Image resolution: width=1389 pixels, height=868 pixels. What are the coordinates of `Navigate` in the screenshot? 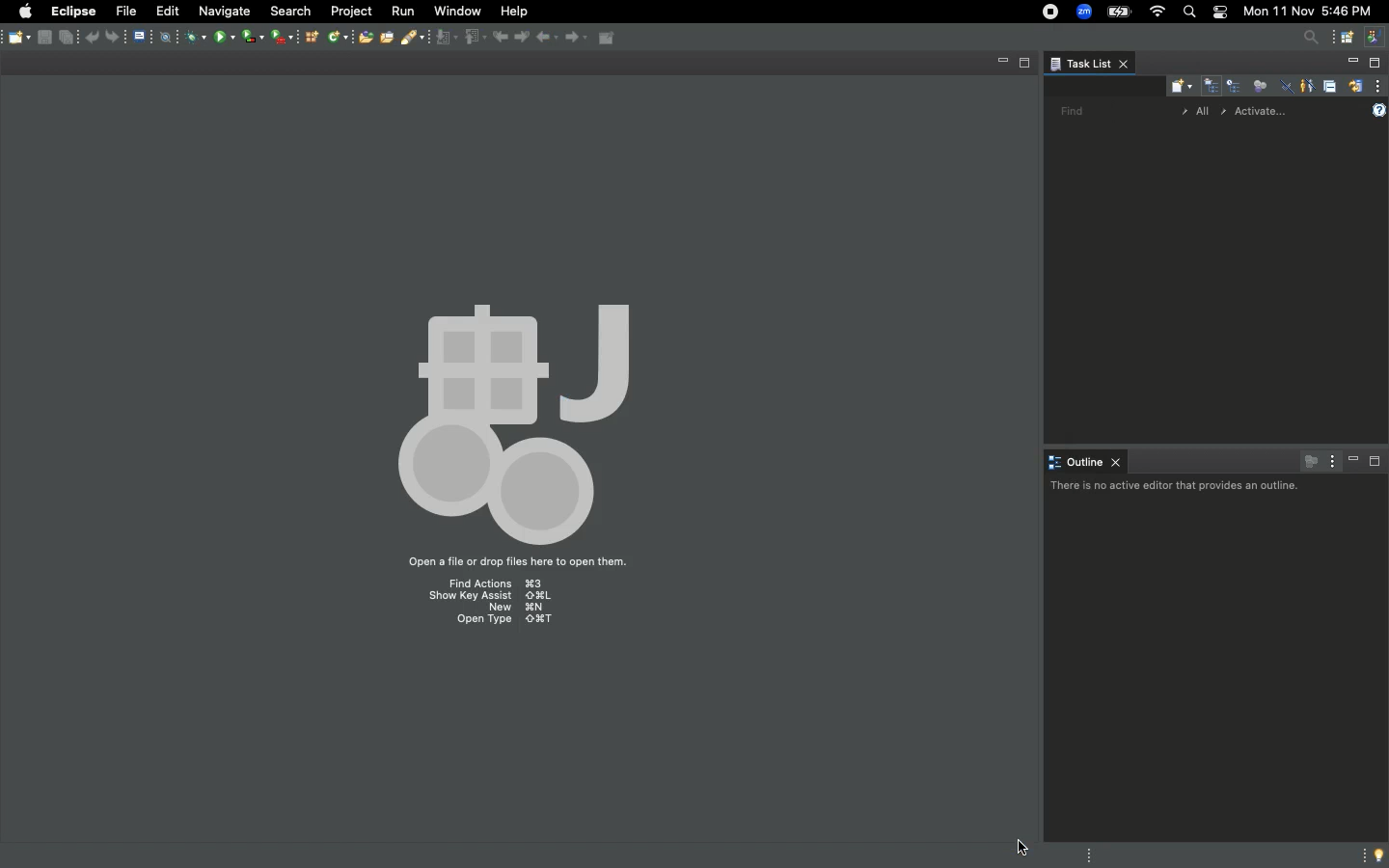 It's located at (224, 11).